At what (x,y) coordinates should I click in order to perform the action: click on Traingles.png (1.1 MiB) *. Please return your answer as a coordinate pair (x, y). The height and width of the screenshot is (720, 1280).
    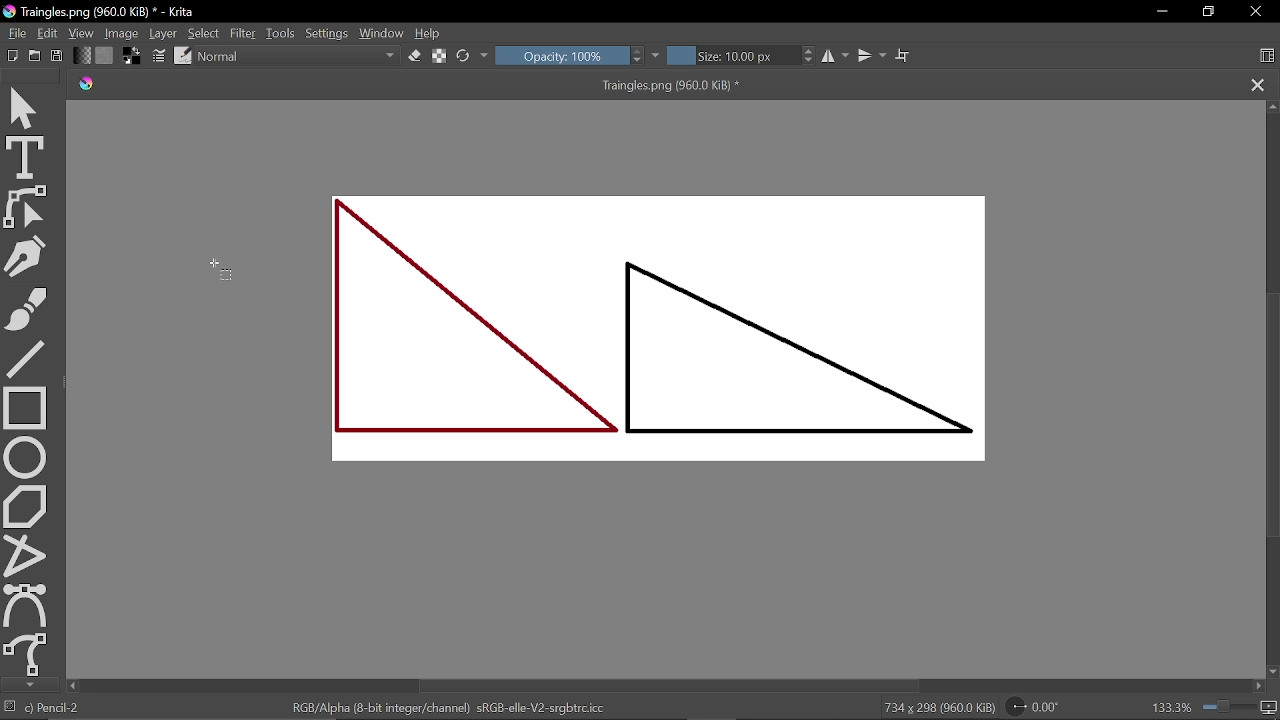
    Looking at the image, I should click on (424, 86).